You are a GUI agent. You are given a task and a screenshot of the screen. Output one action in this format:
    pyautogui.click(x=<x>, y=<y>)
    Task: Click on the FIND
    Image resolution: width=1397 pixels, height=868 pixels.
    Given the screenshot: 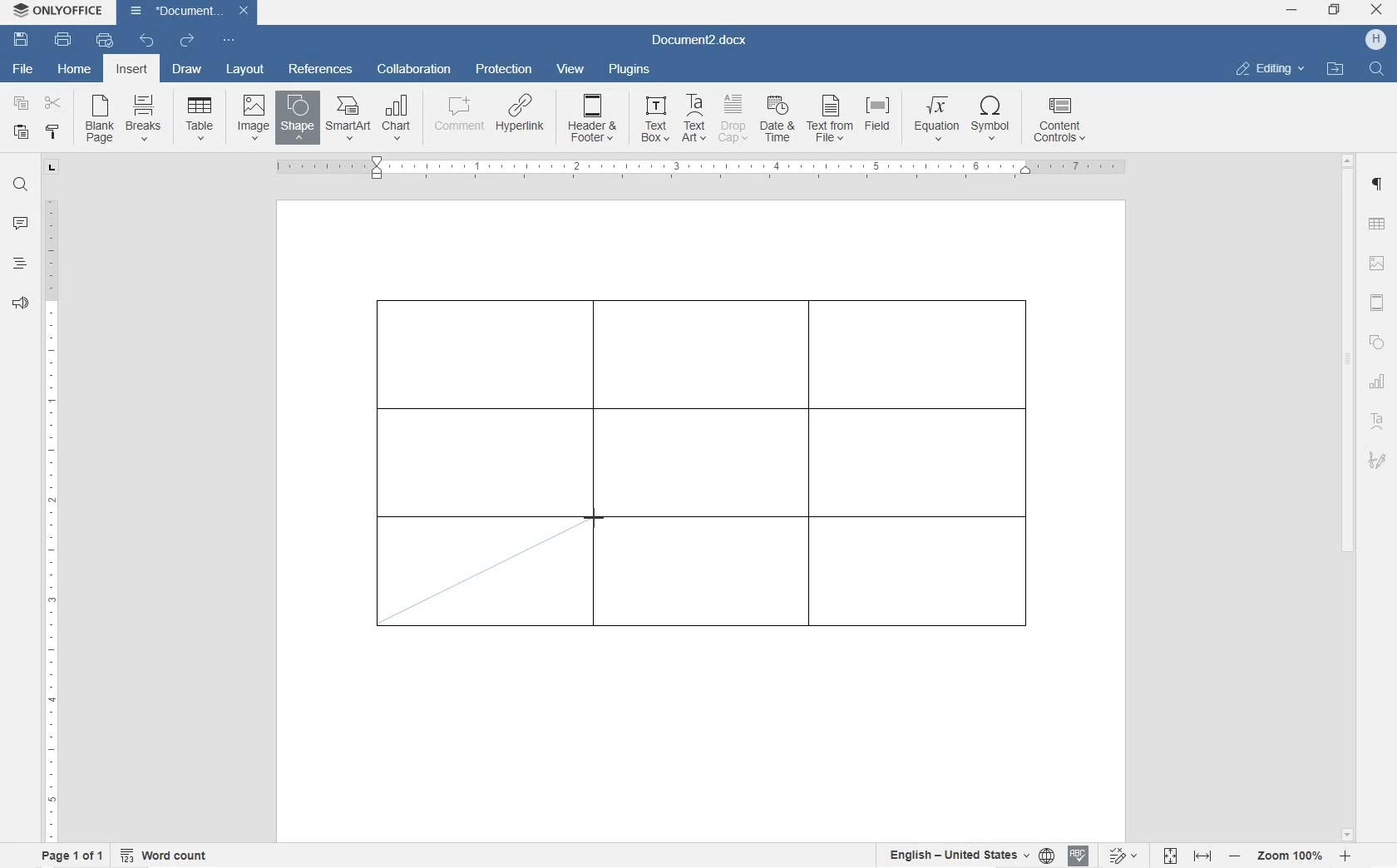 What is the action you would take?
    pyautogui.click(x=1378, y=68)
    